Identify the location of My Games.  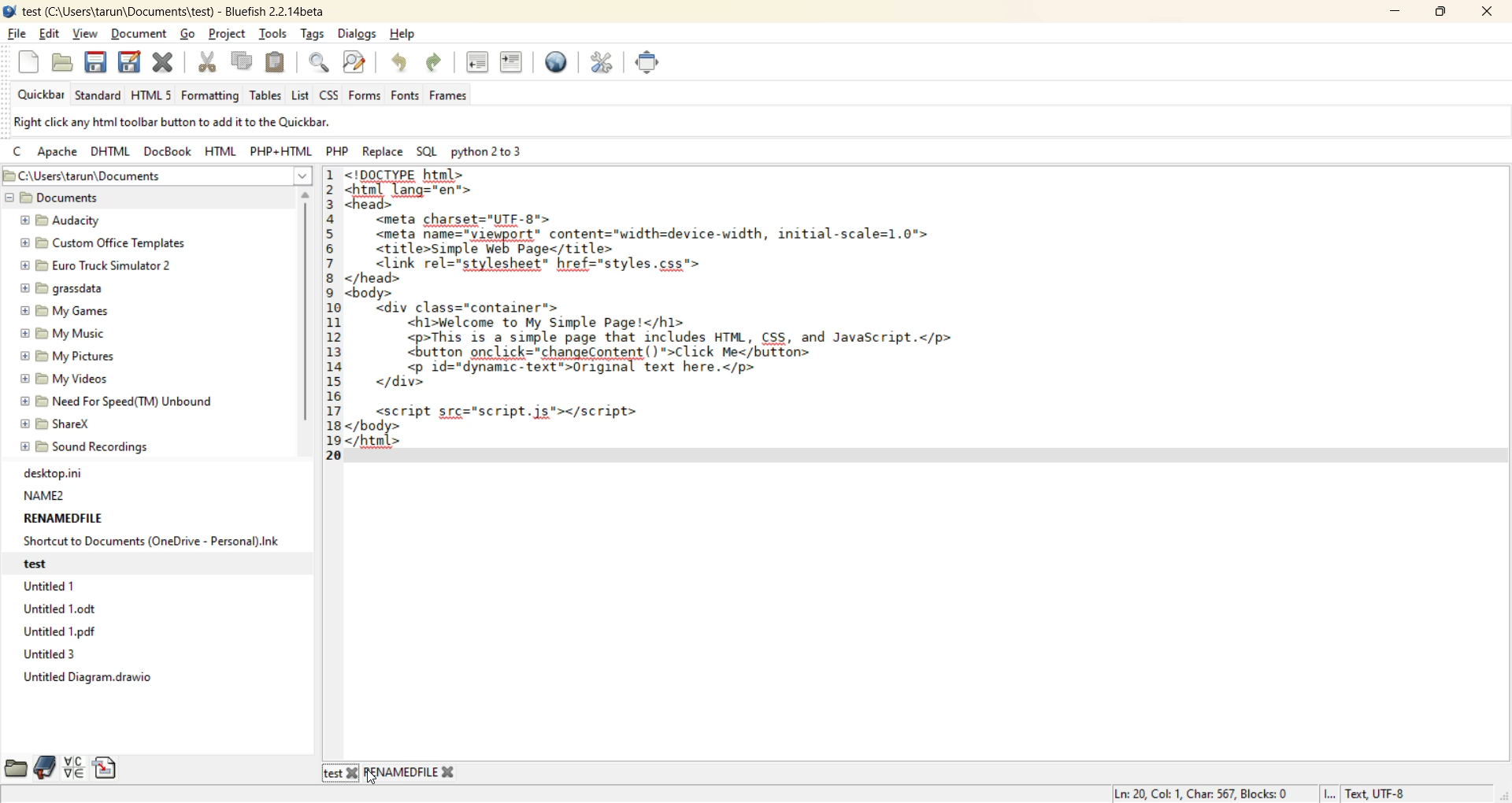
(65, 311).